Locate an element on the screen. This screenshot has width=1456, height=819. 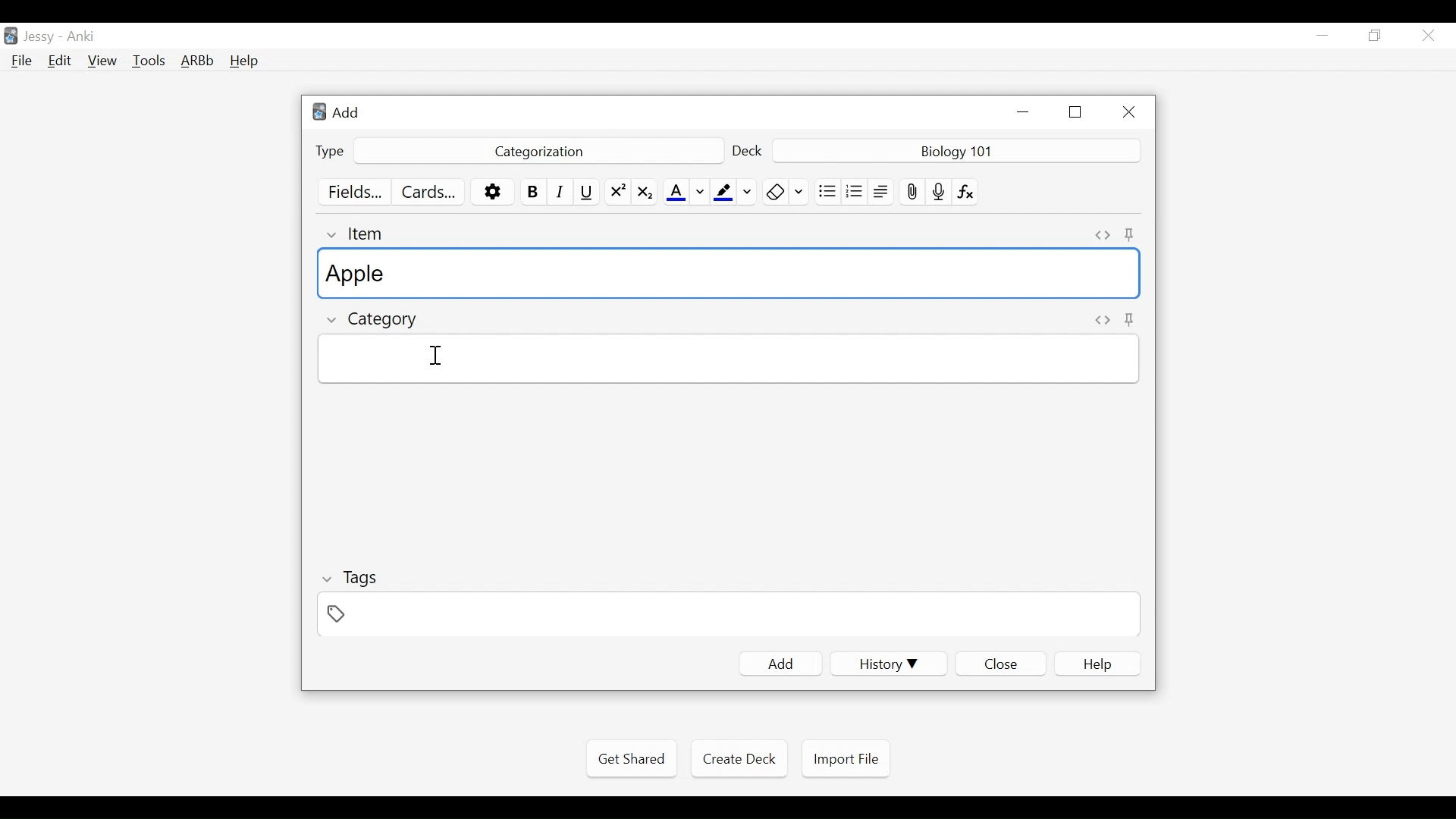
Item Field is located at coordinates (731, 274).